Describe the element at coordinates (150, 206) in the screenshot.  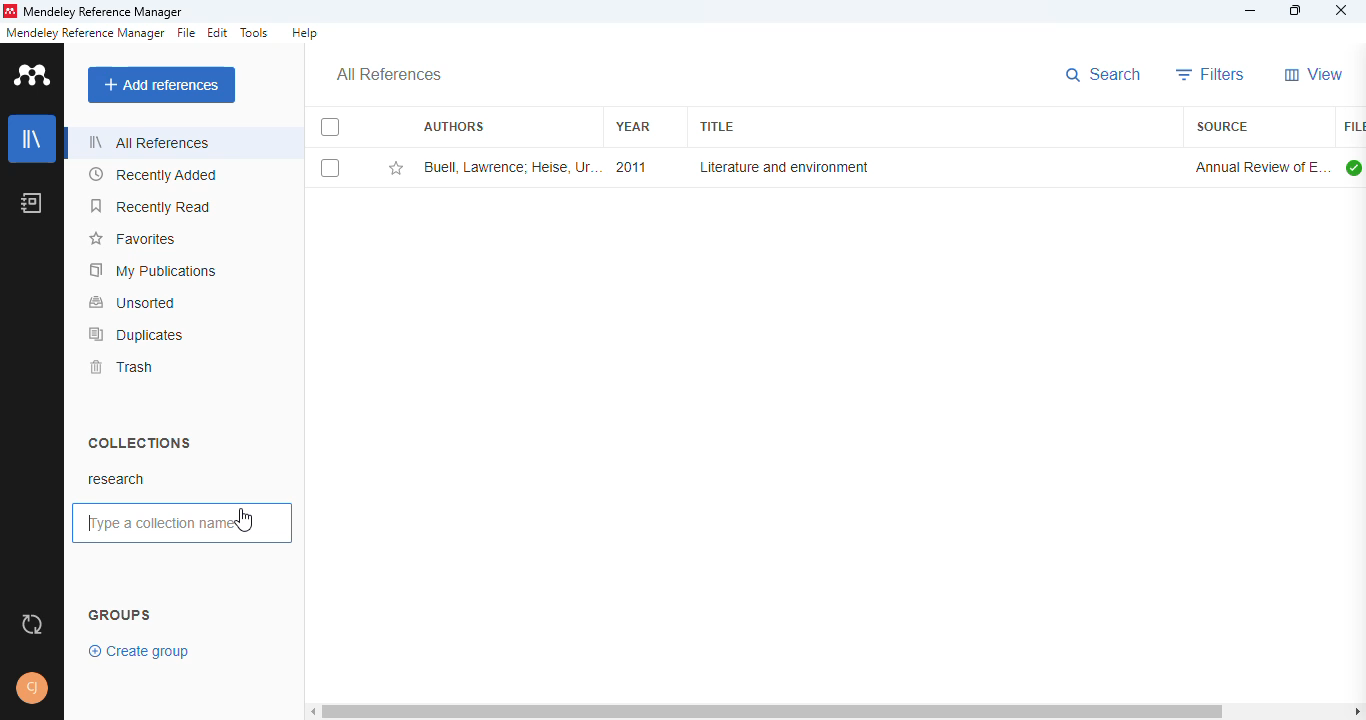
I see `recently read` at that location.